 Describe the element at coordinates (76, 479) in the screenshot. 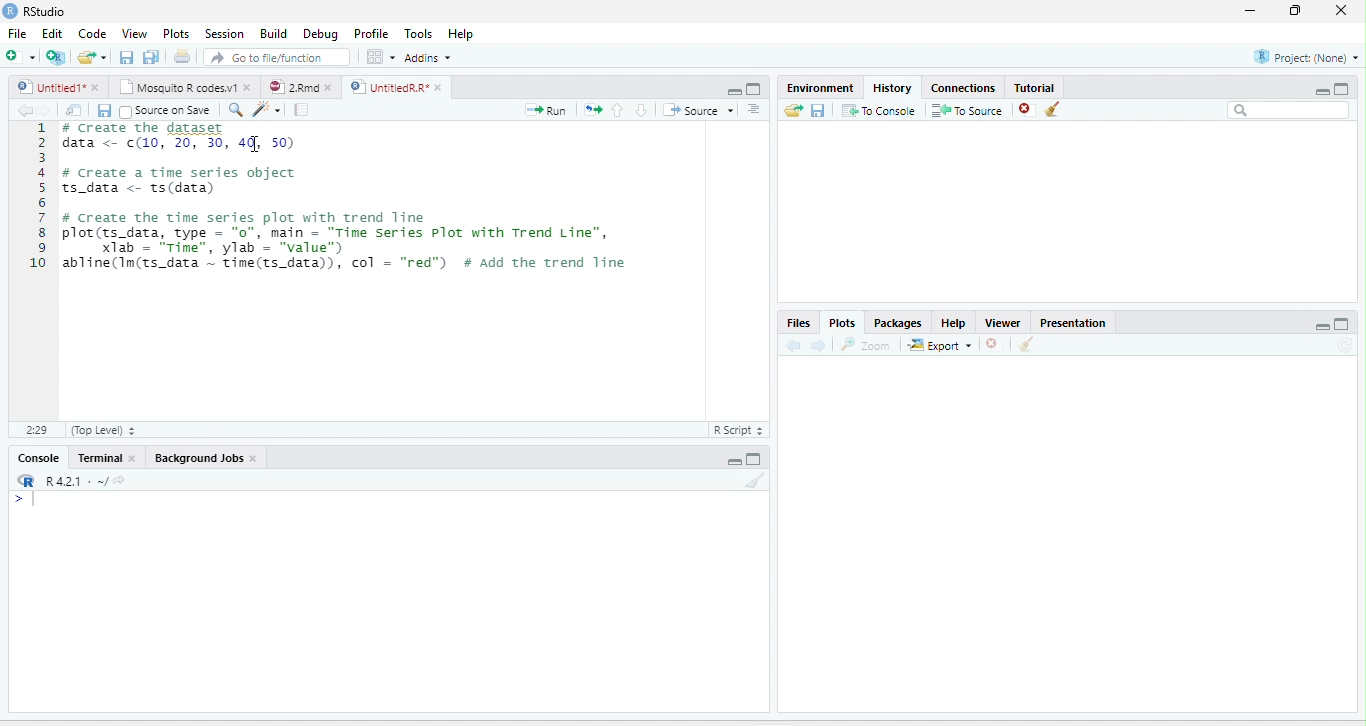

I see `R 4.2.1 . ~/` at that location.